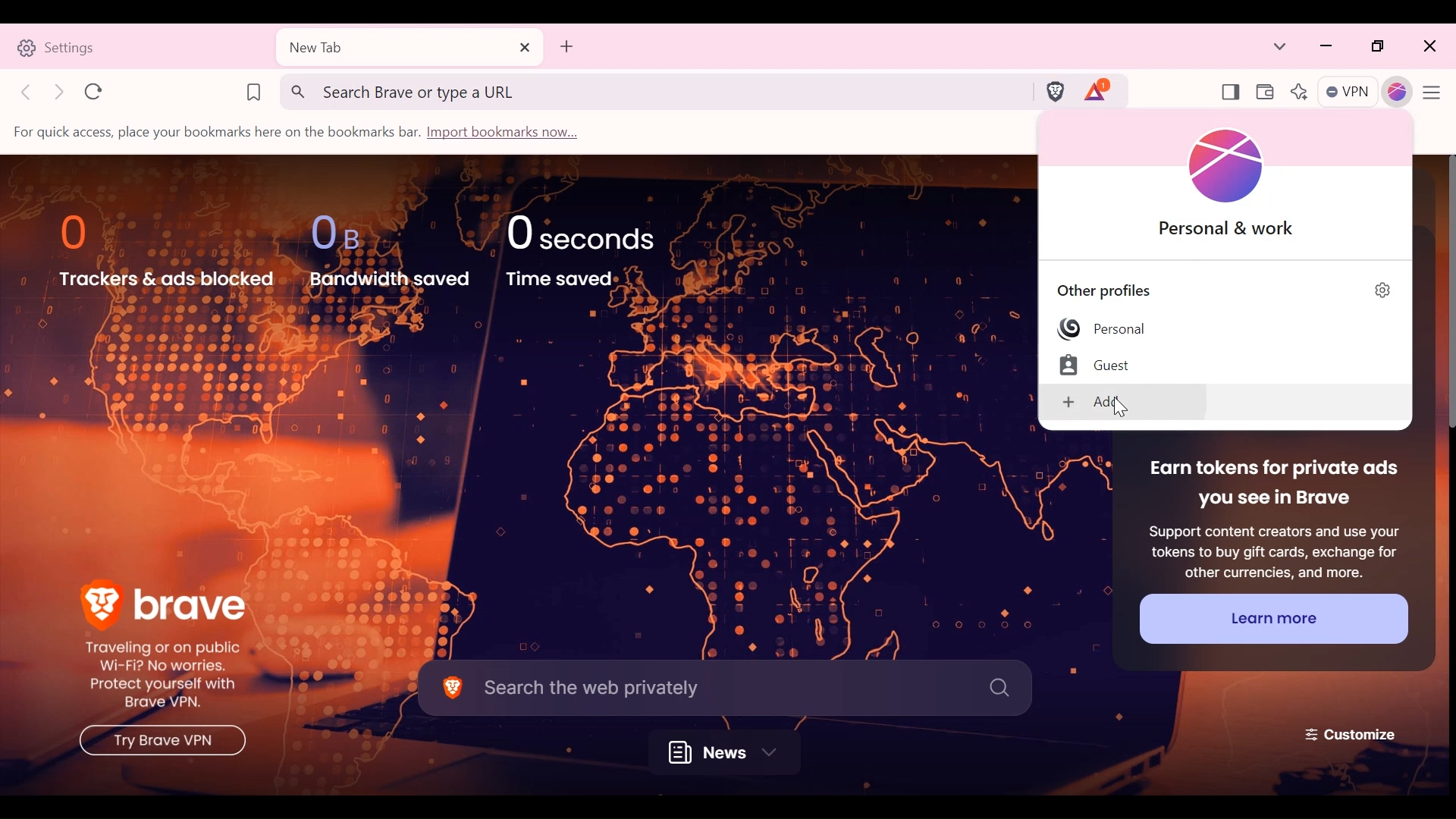  I want to click on For quick access, place your bookmarks here on the bookmarks bar. Import bookmarks now, so click(301, 133).